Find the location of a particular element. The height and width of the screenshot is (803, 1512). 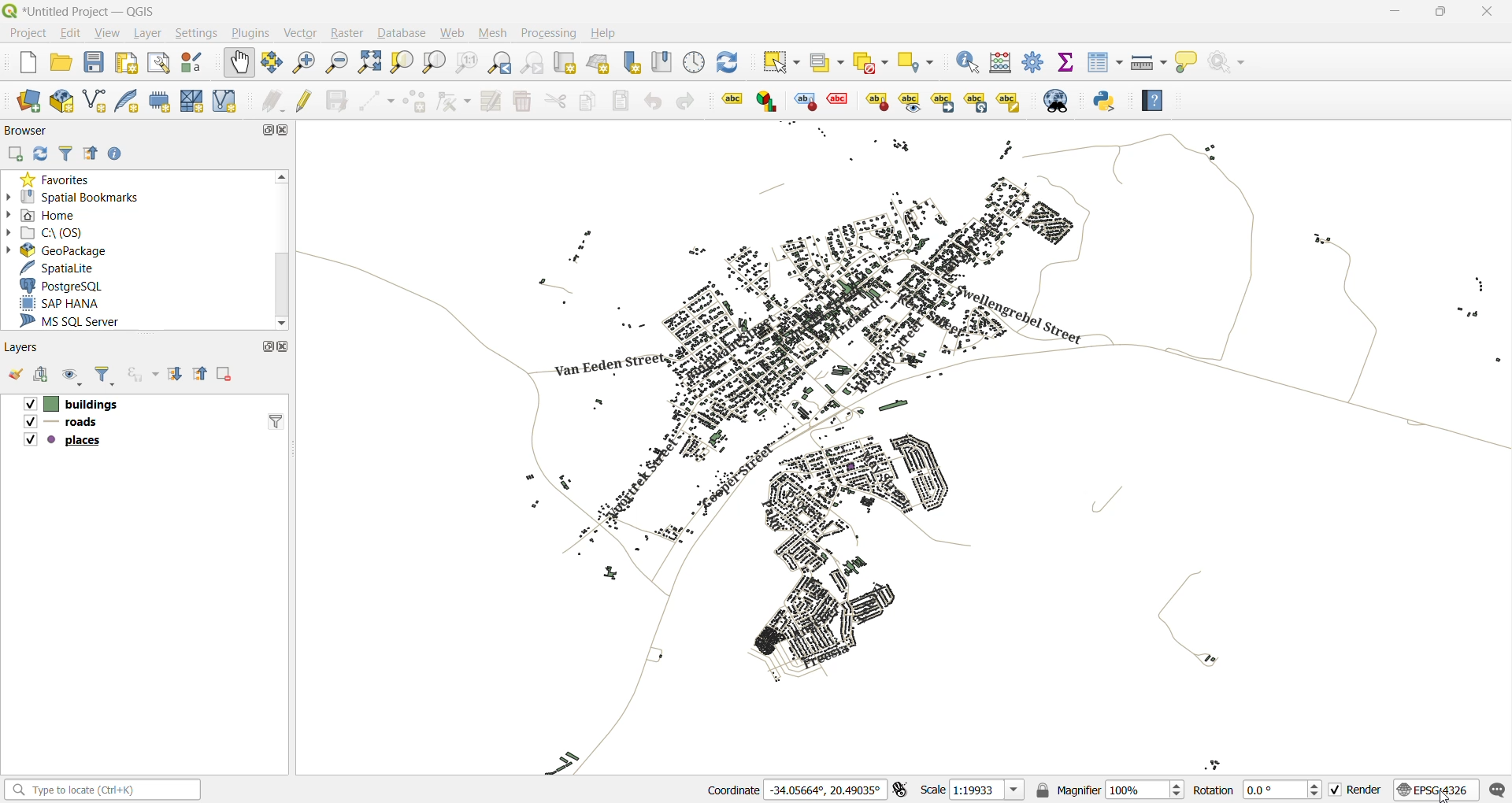

logo is located at coordinates (9, 10).